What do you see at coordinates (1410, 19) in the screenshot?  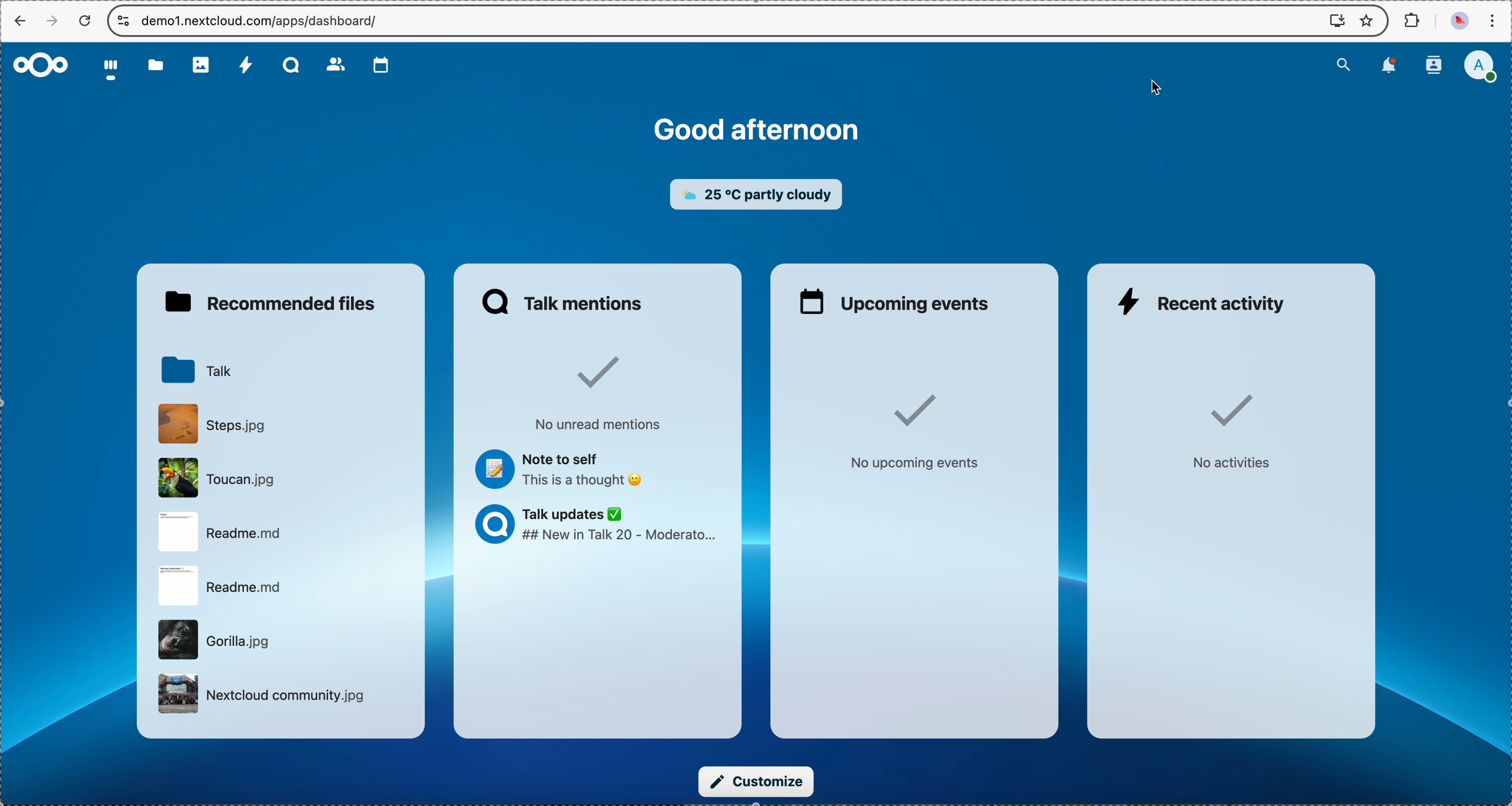 I see `extensions` at bounding box center [1410, 19].